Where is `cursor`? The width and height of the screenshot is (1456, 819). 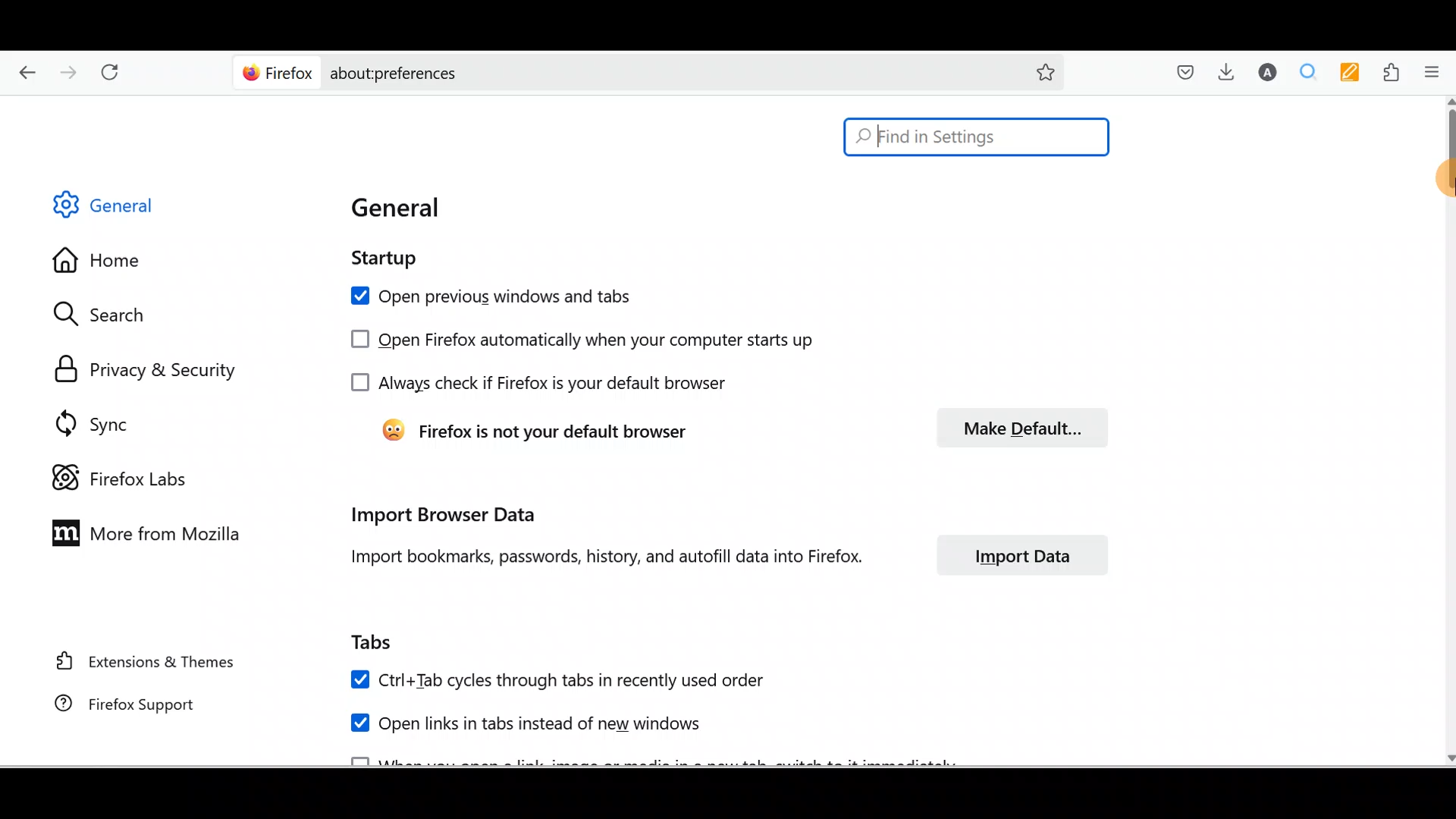
cursor is located at coordinates (1447, 185).